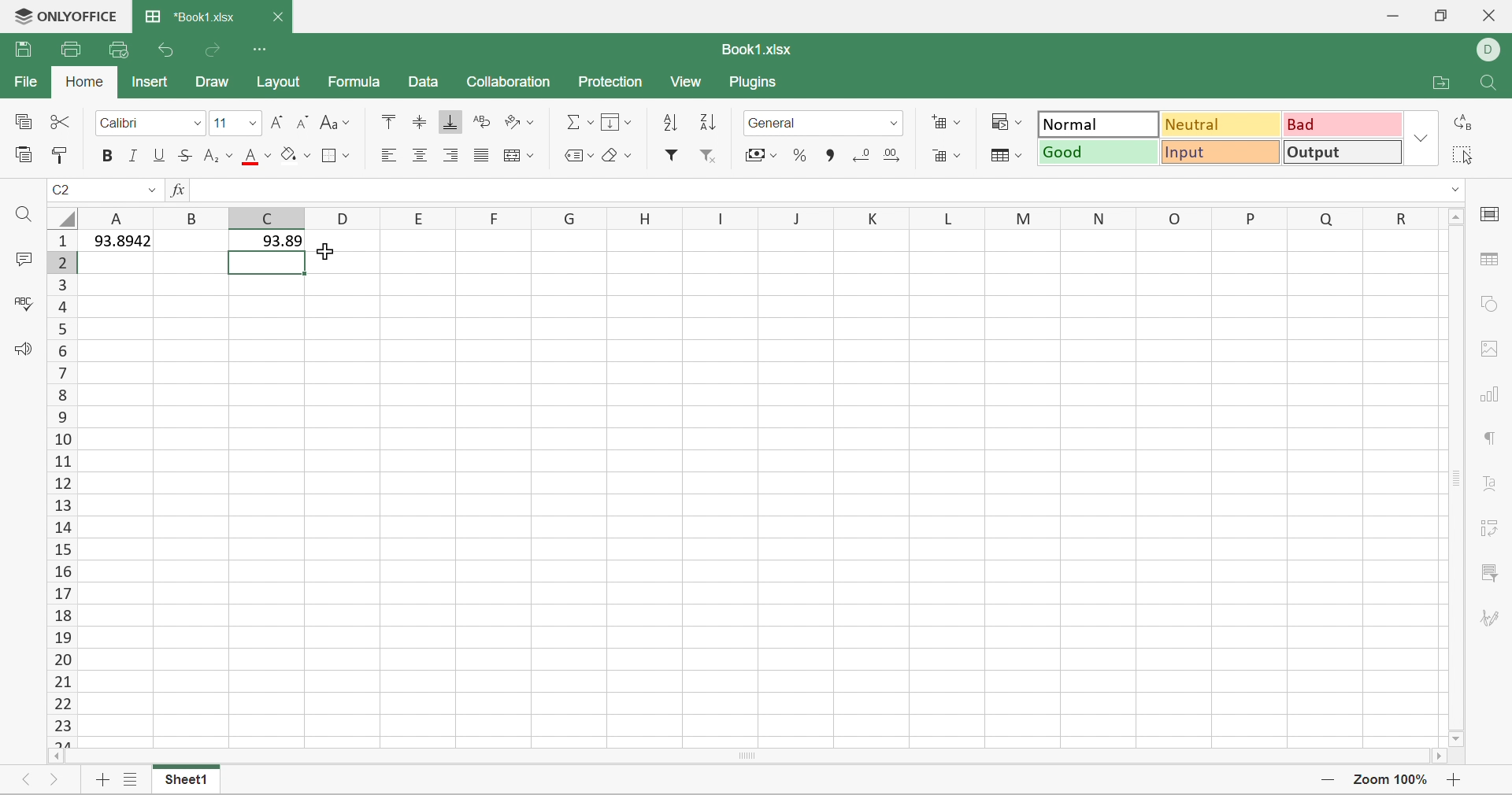 The image size is (1512, 795). Describe the element at coordinates (113, 48) in the screenshot. I see `Quick Print` at that location.